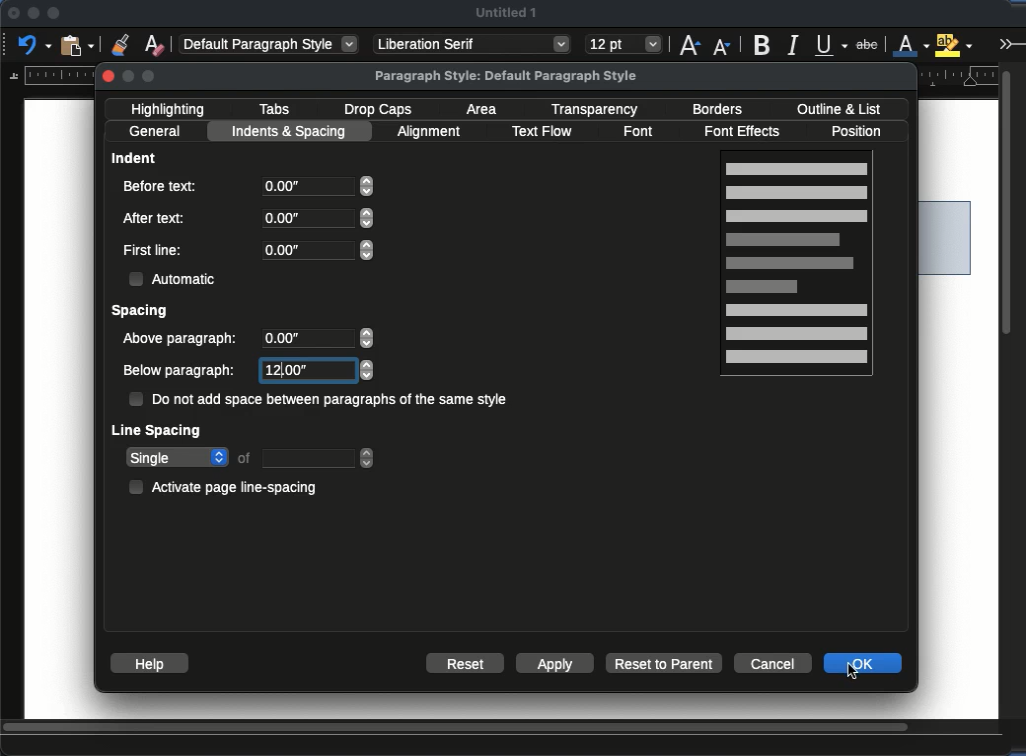 Image resolution: width=1026 pixels, height=756 pixels. What do you see at coordinates (321, 340) in the screenshot?
I see `0.00` at bounding box center [321, 340].